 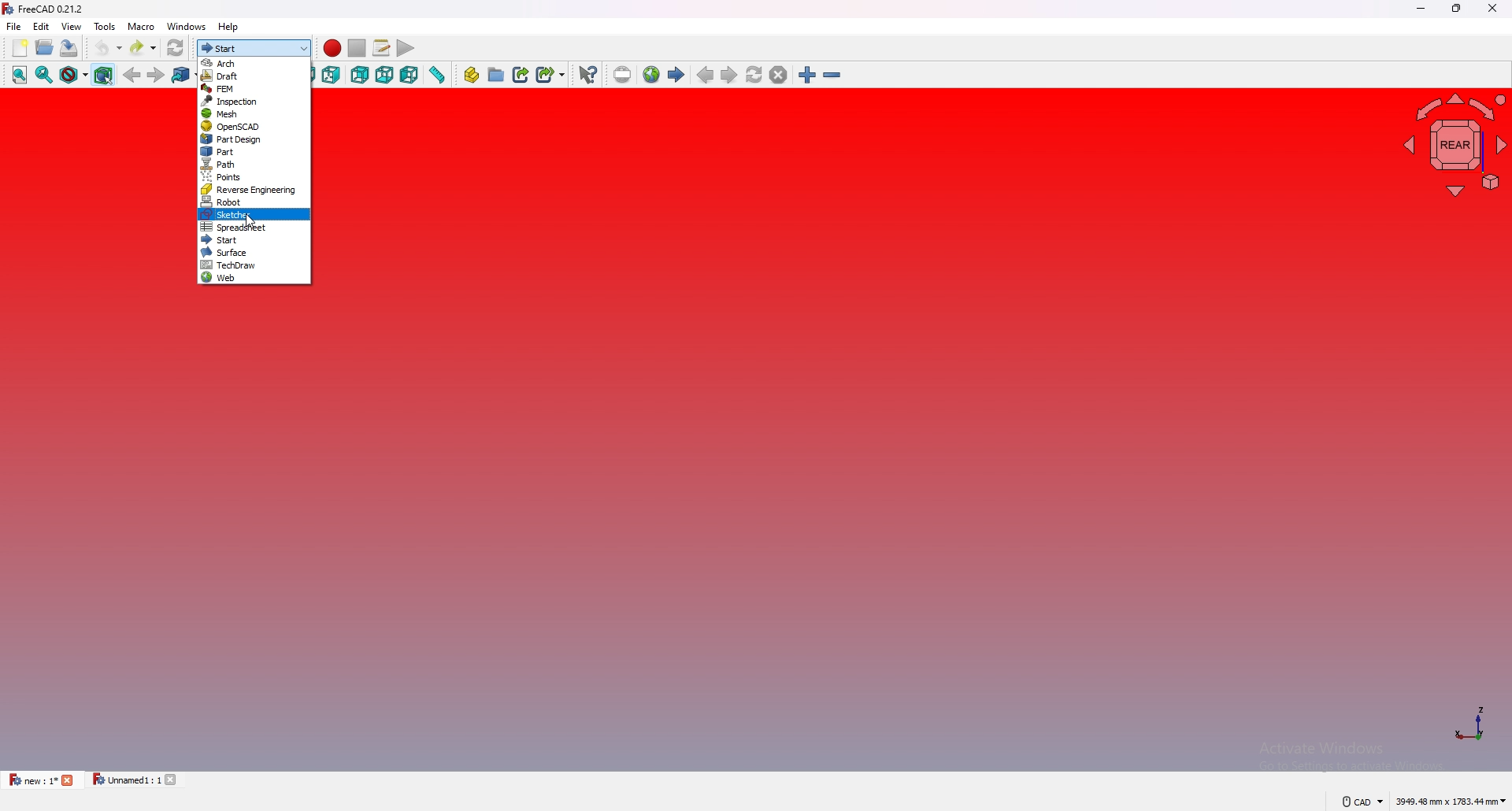 What do you see at coordinates (157, 74) in the screenshot?
I see `forward` at bounding box center [157, 74].